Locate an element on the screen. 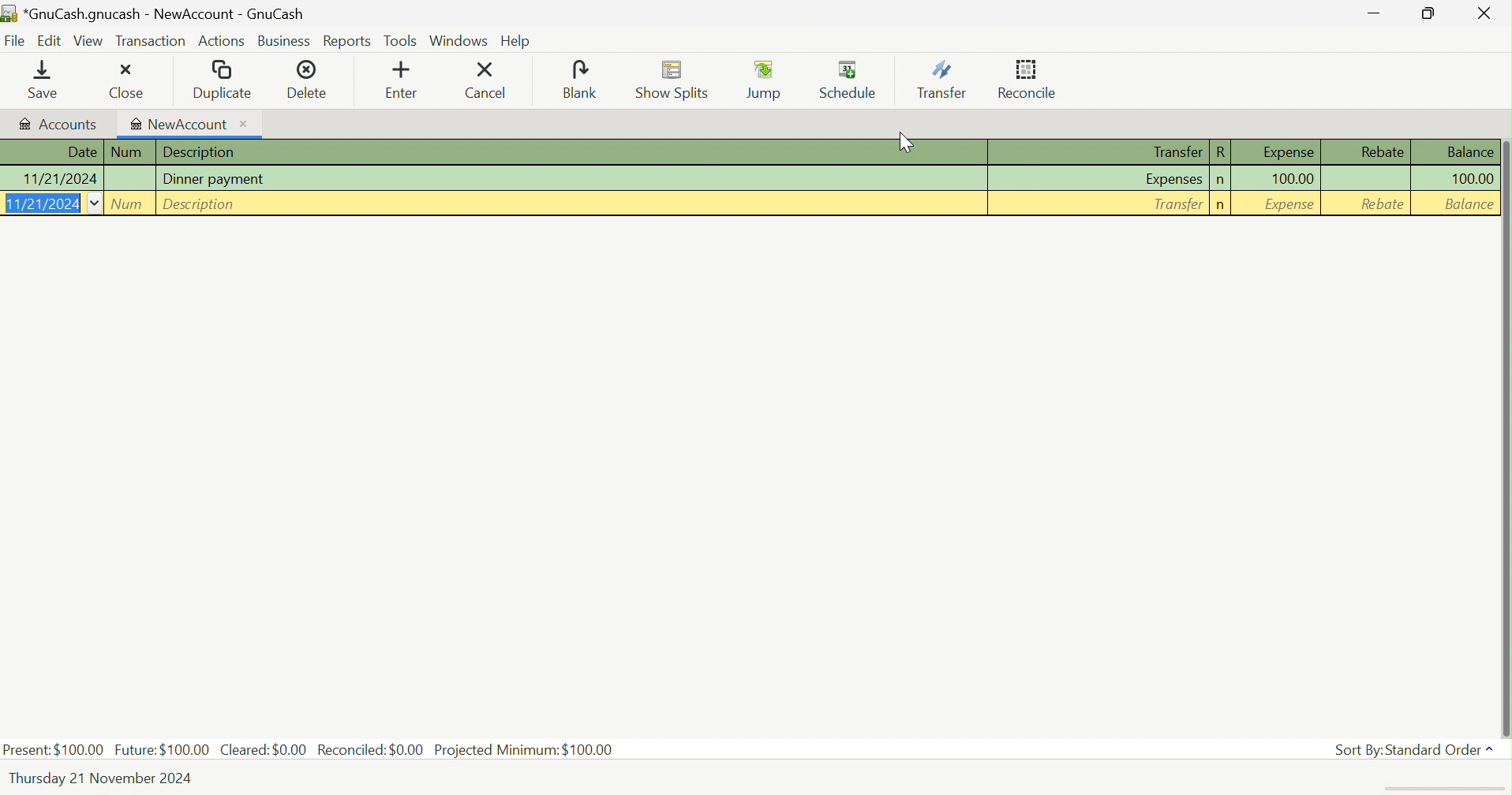  Restore Down is located at coordinates (1428, 13).